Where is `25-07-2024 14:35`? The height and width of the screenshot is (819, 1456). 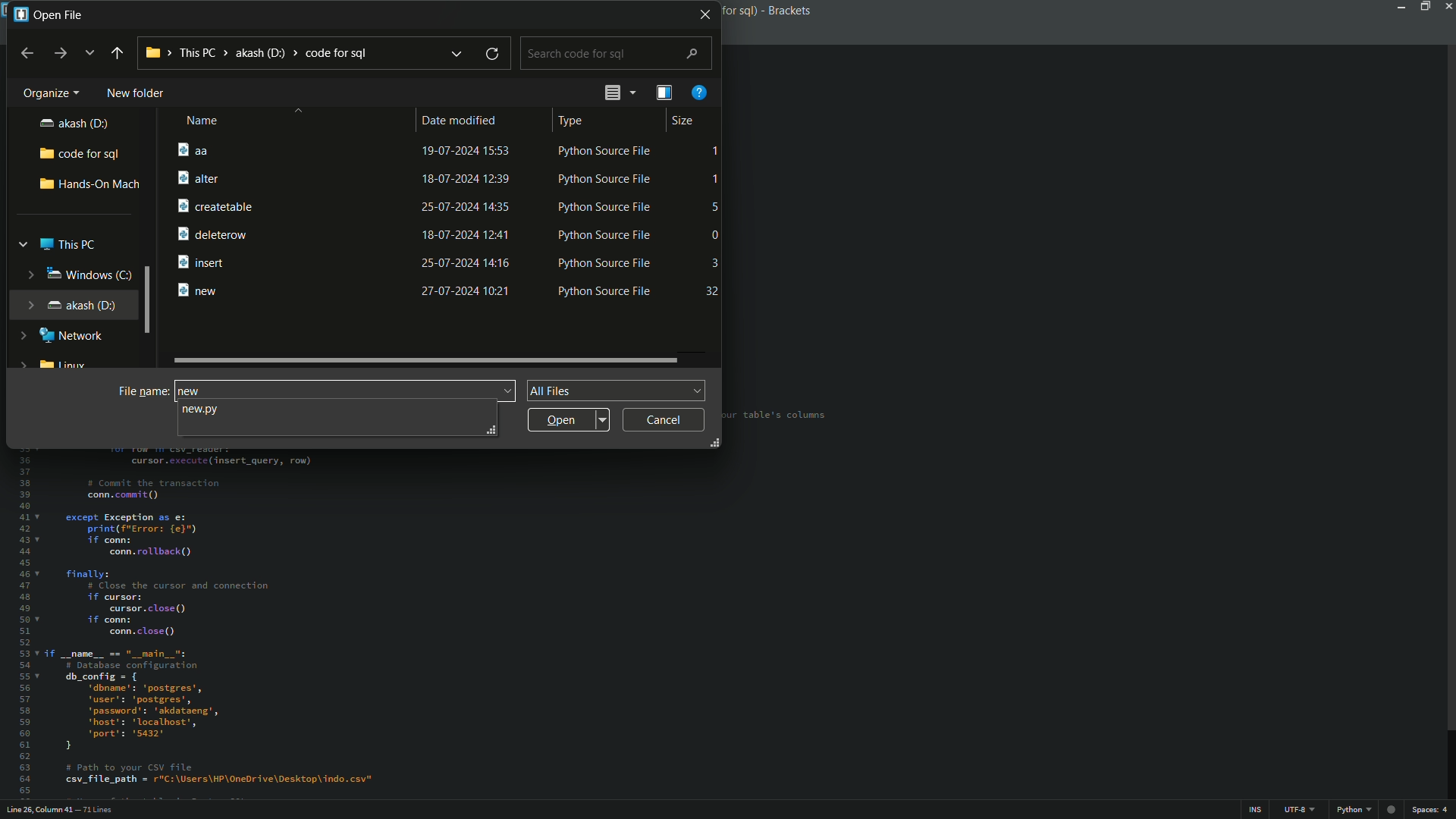 25-07-2024 14:35 is located at coordinates (466, 207).